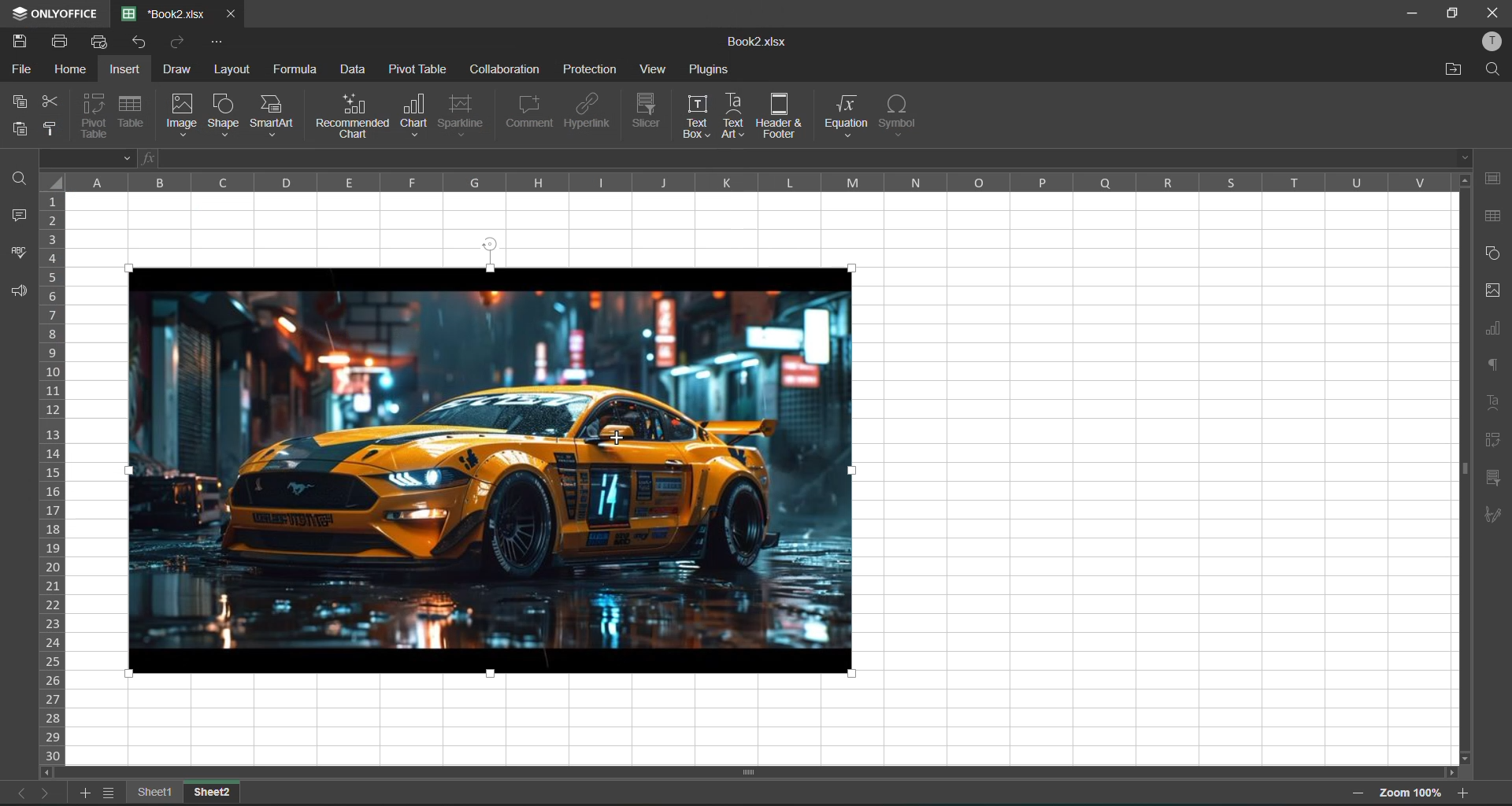  Describe the element at coordinates (57, 128) in the screenshot. I see `copy style` at that location.